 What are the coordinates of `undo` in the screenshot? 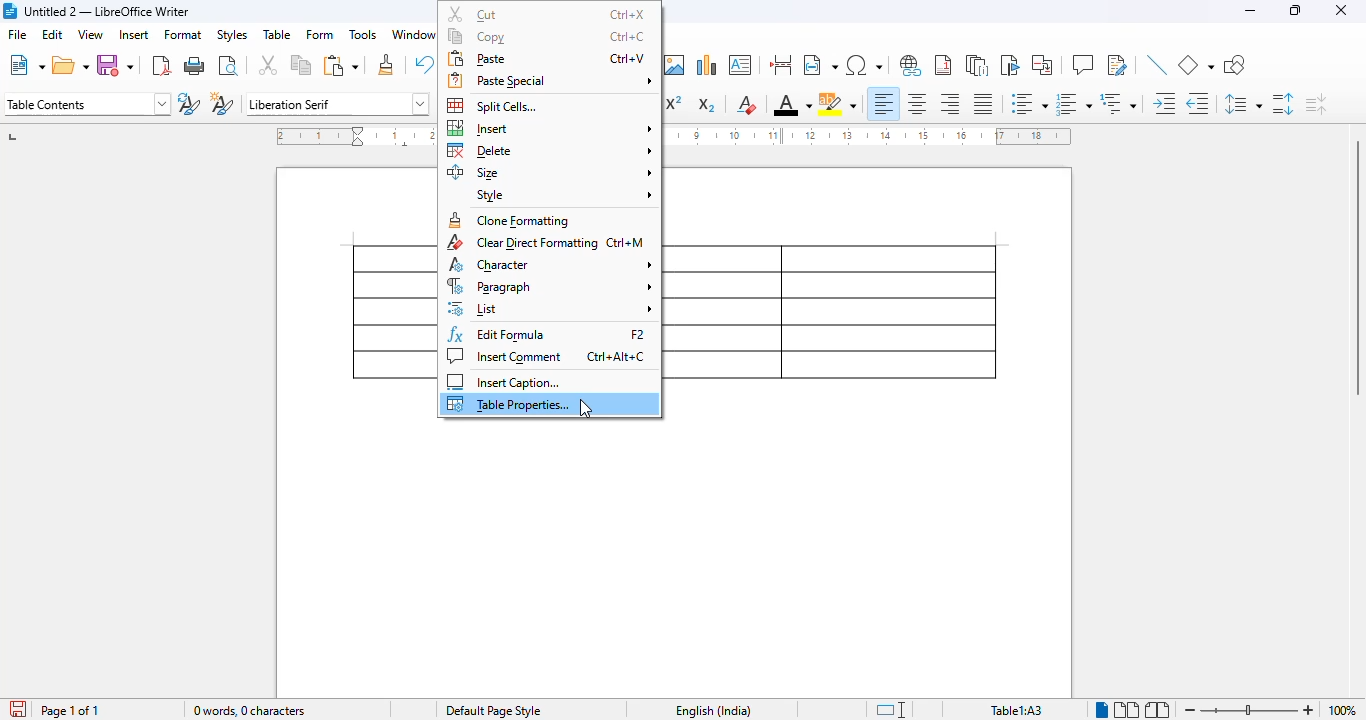 It's located at (426, 64).